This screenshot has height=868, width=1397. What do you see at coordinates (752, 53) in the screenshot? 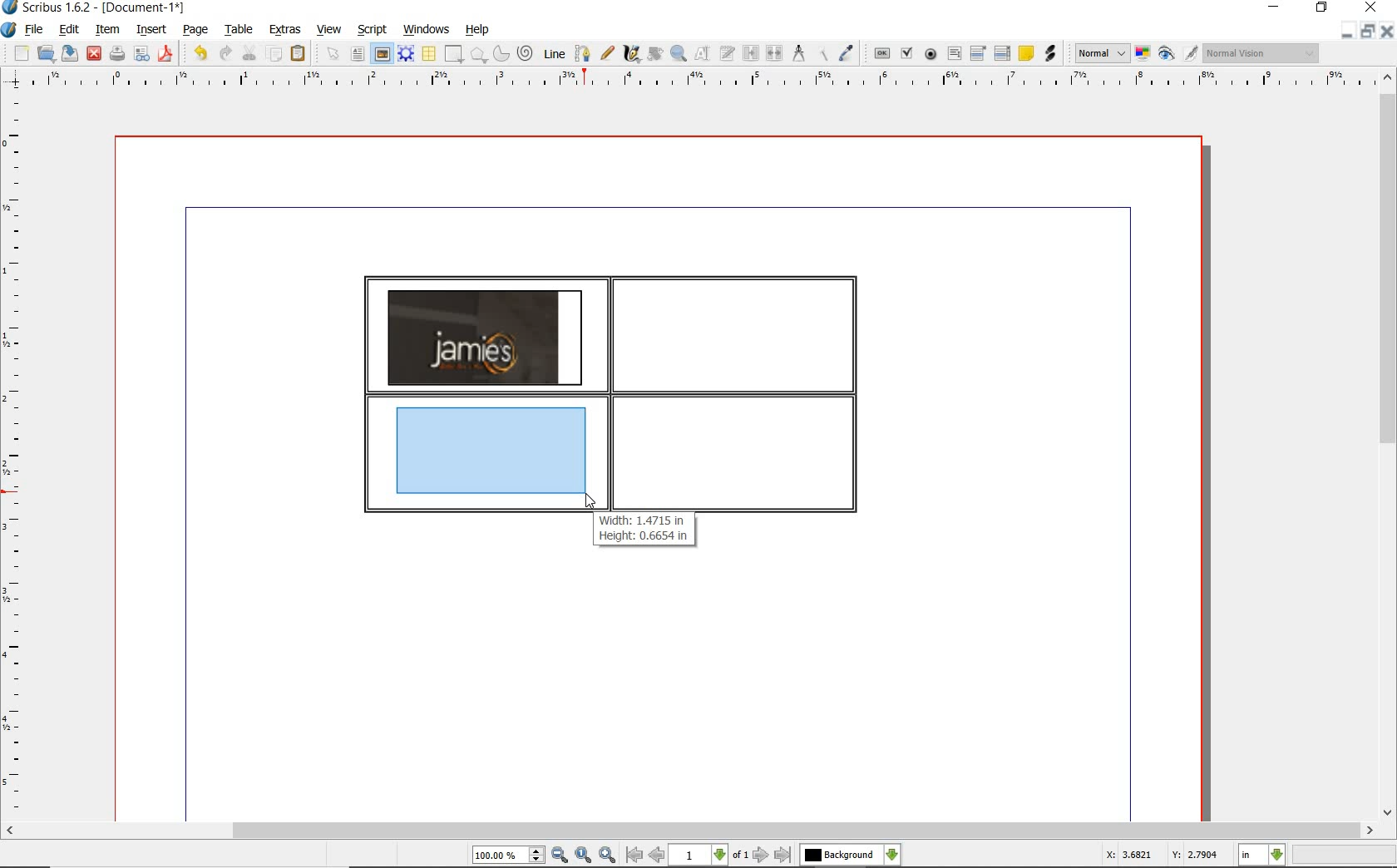
I see `link text frames` at bounding box center [752, 53].